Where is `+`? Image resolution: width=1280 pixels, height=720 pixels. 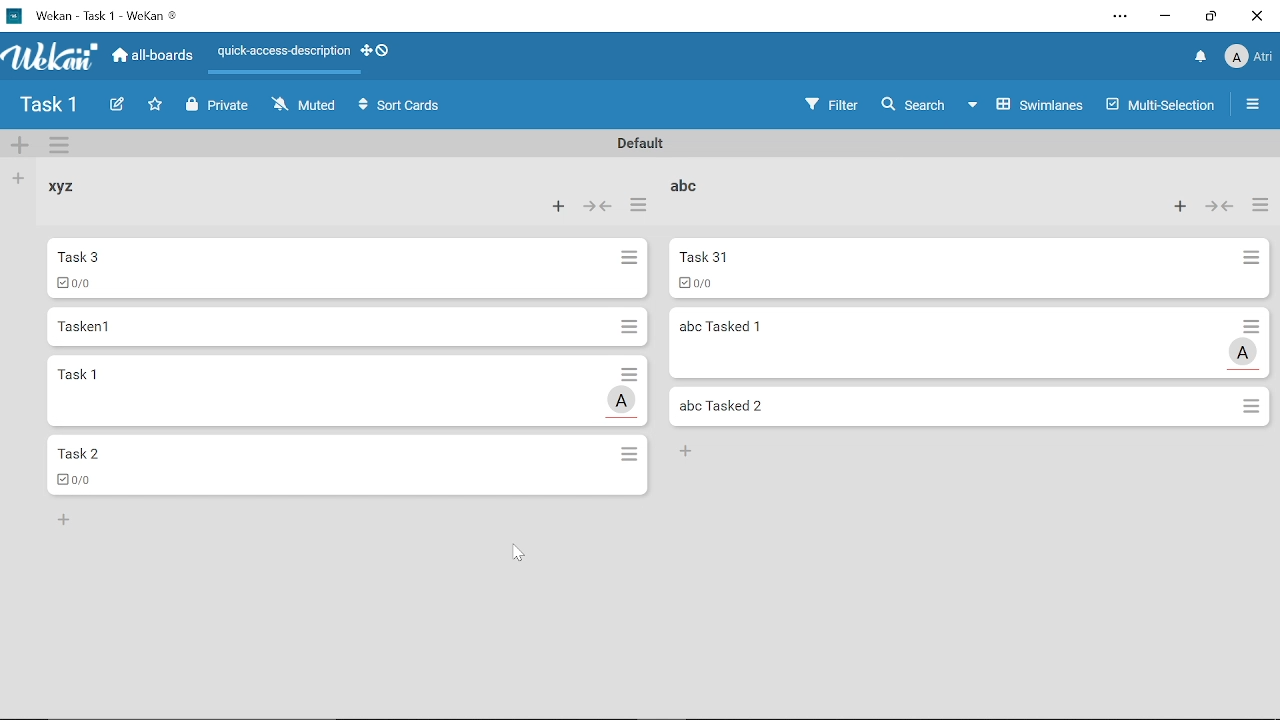
+ is located at coordinates (688, 450).